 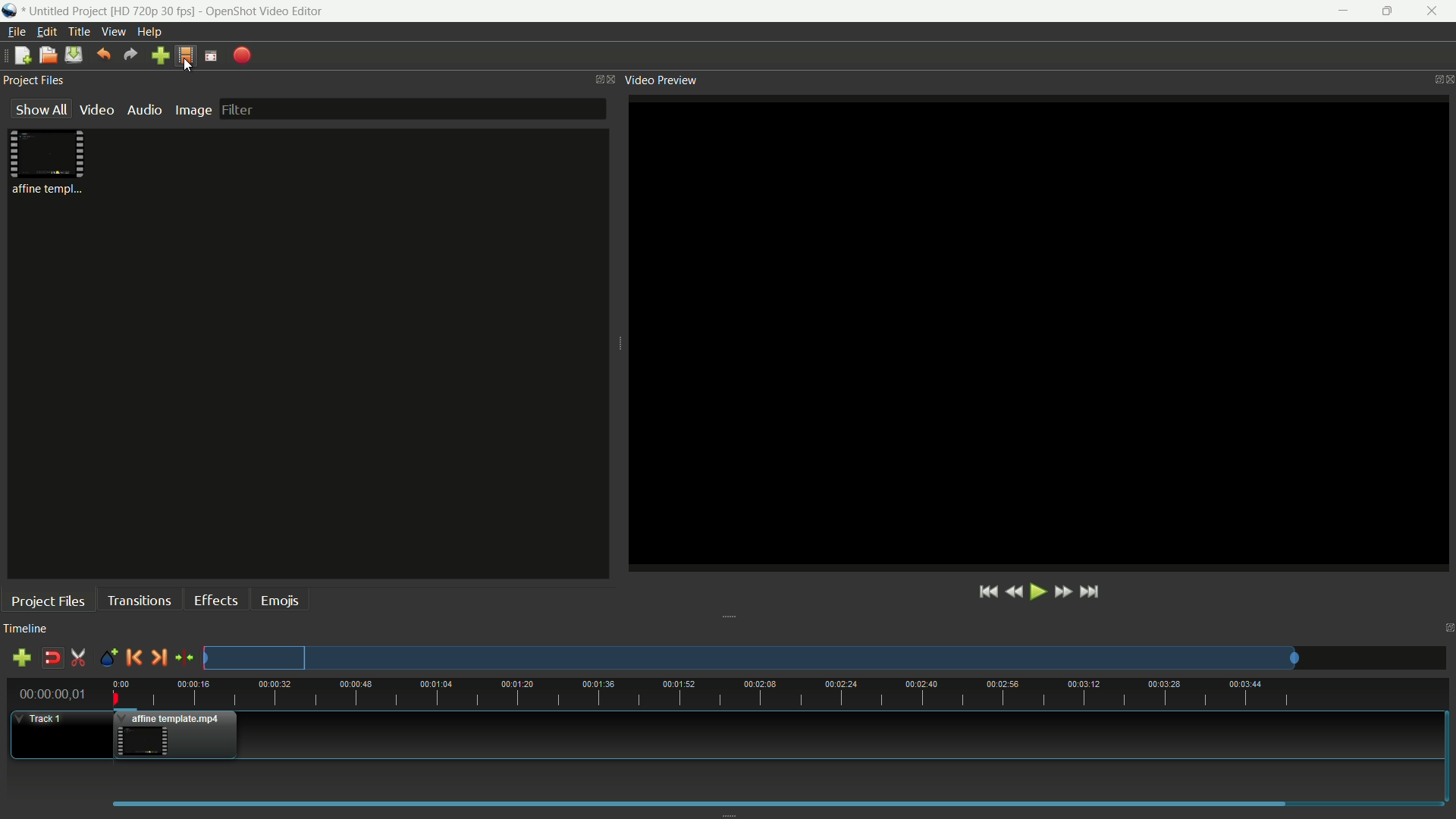 I want to click on project files, so click(x=34, y=80).